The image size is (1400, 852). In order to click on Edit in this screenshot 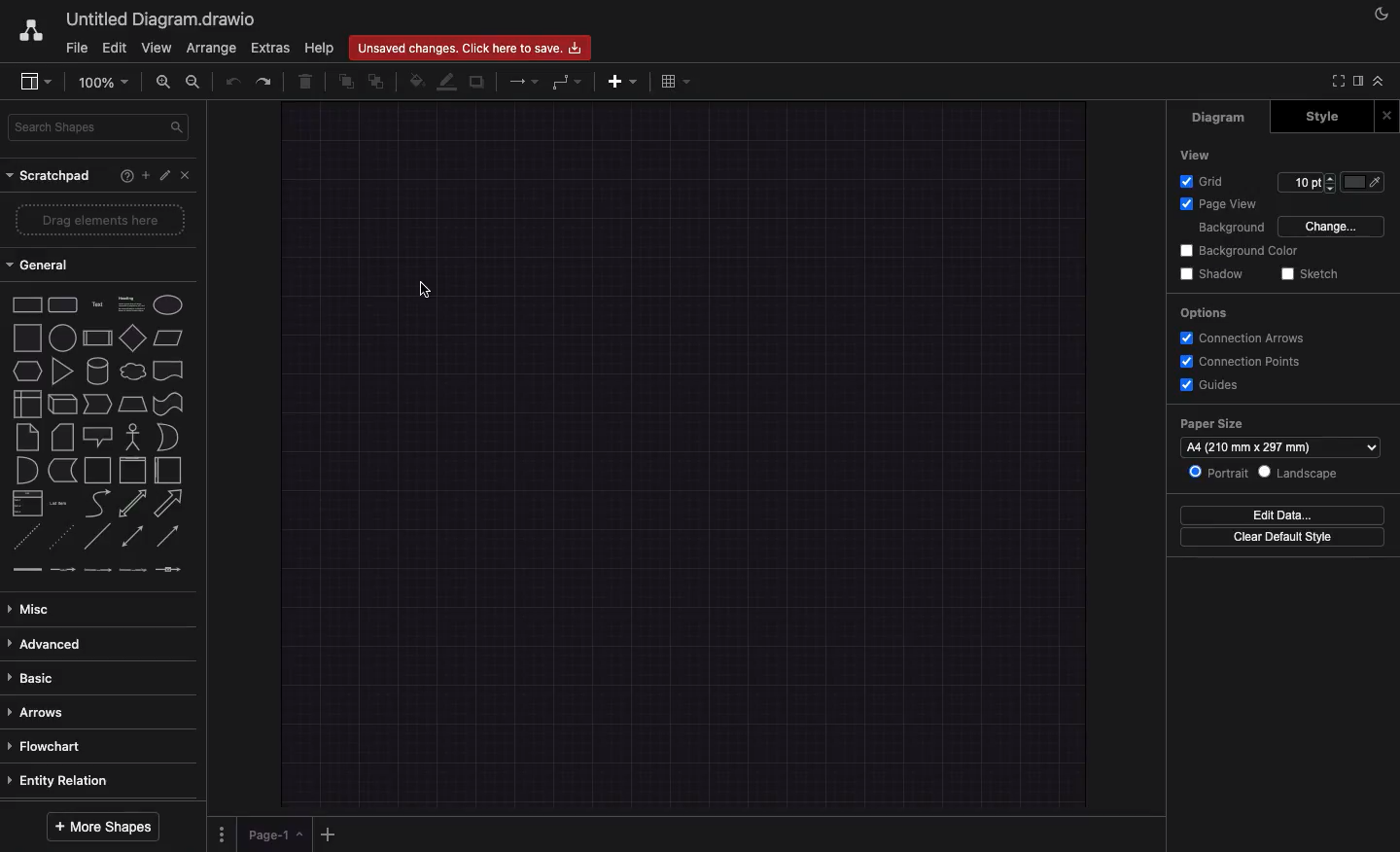, I will do `click(166, 176)`.